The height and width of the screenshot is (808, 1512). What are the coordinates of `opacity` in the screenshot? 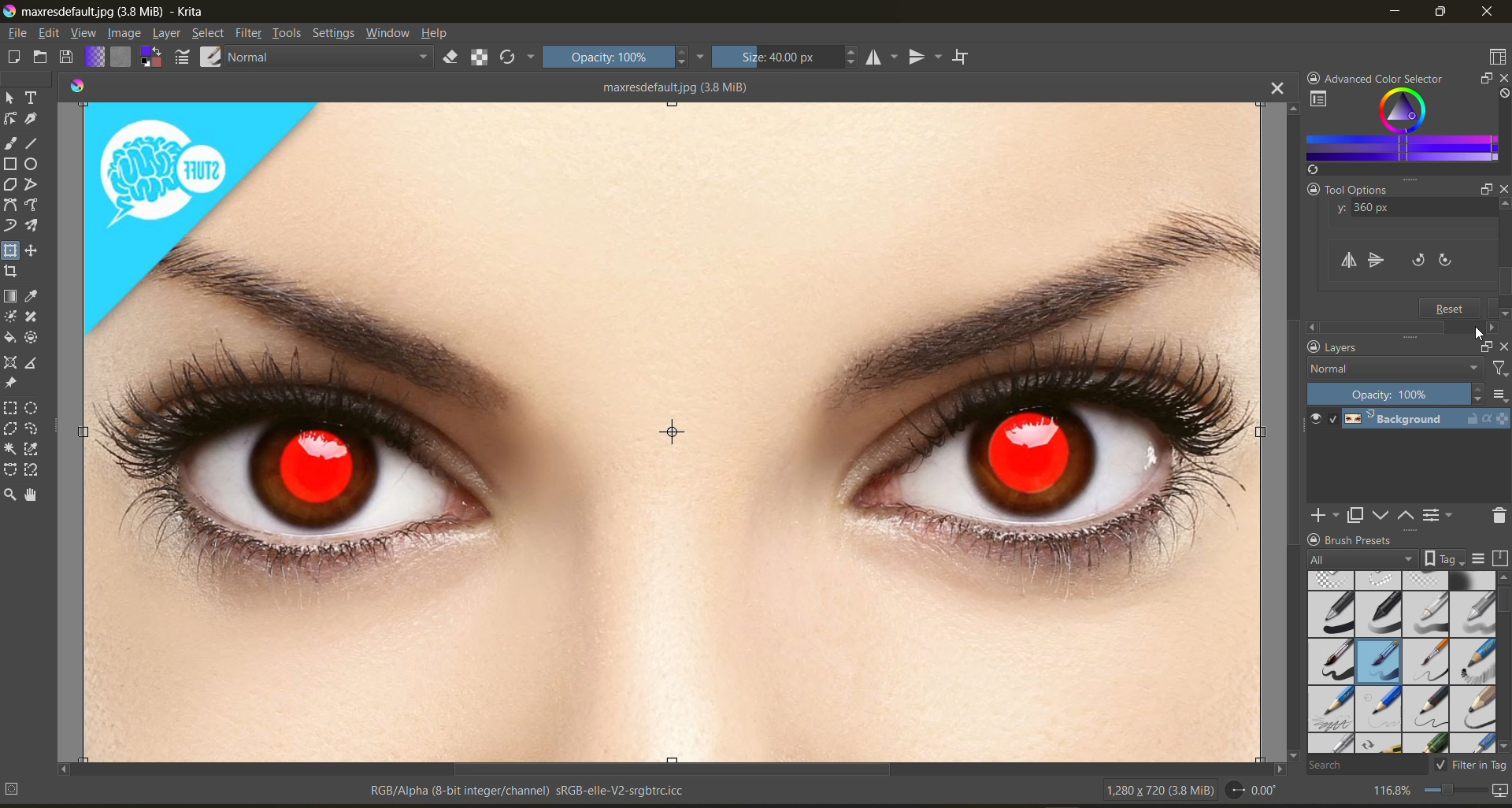 It's located at (1397, 394).